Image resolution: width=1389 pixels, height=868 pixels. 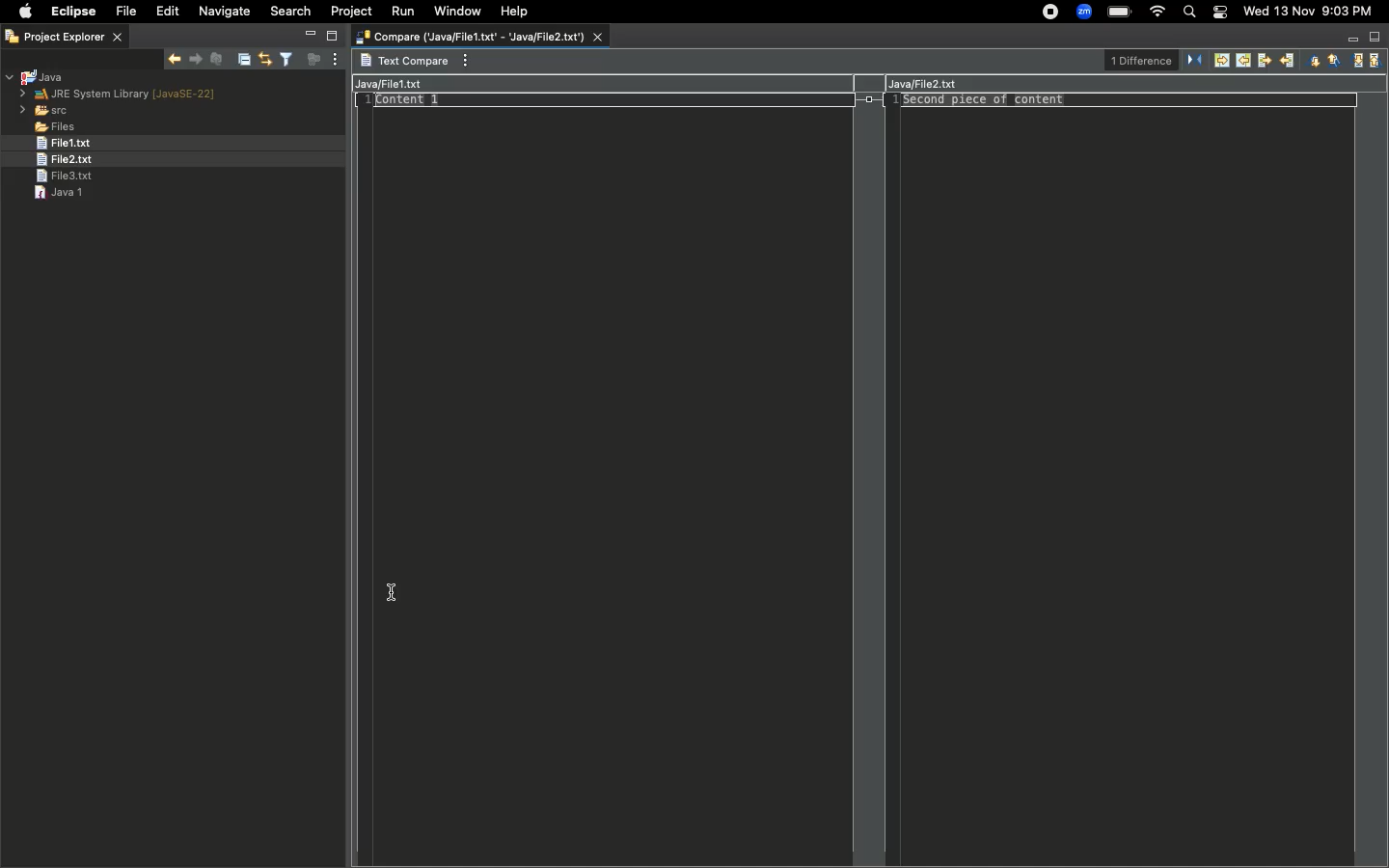 What do you see at coordinates (21, 14) in the screenshot?
I see `Apple logo` at bounding box center [21, 14].